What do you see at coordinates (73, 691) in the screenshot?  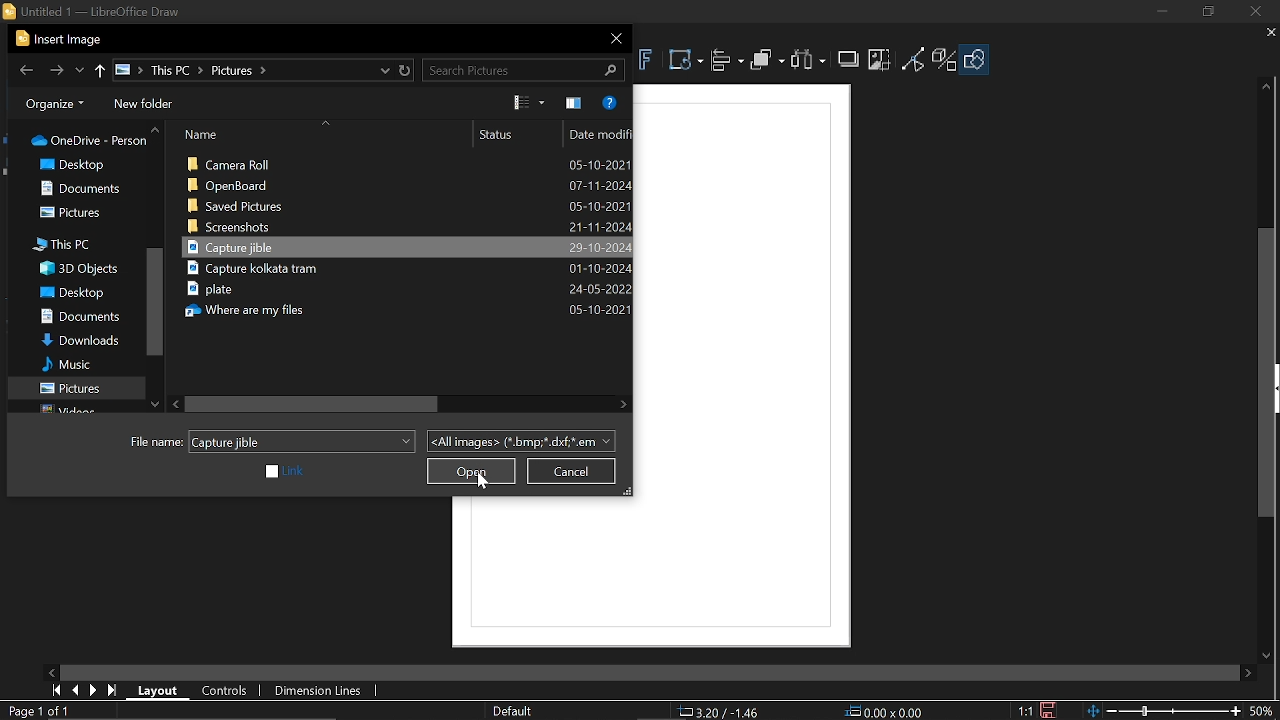 I see `Previous page` at bounding box center [73, 691].